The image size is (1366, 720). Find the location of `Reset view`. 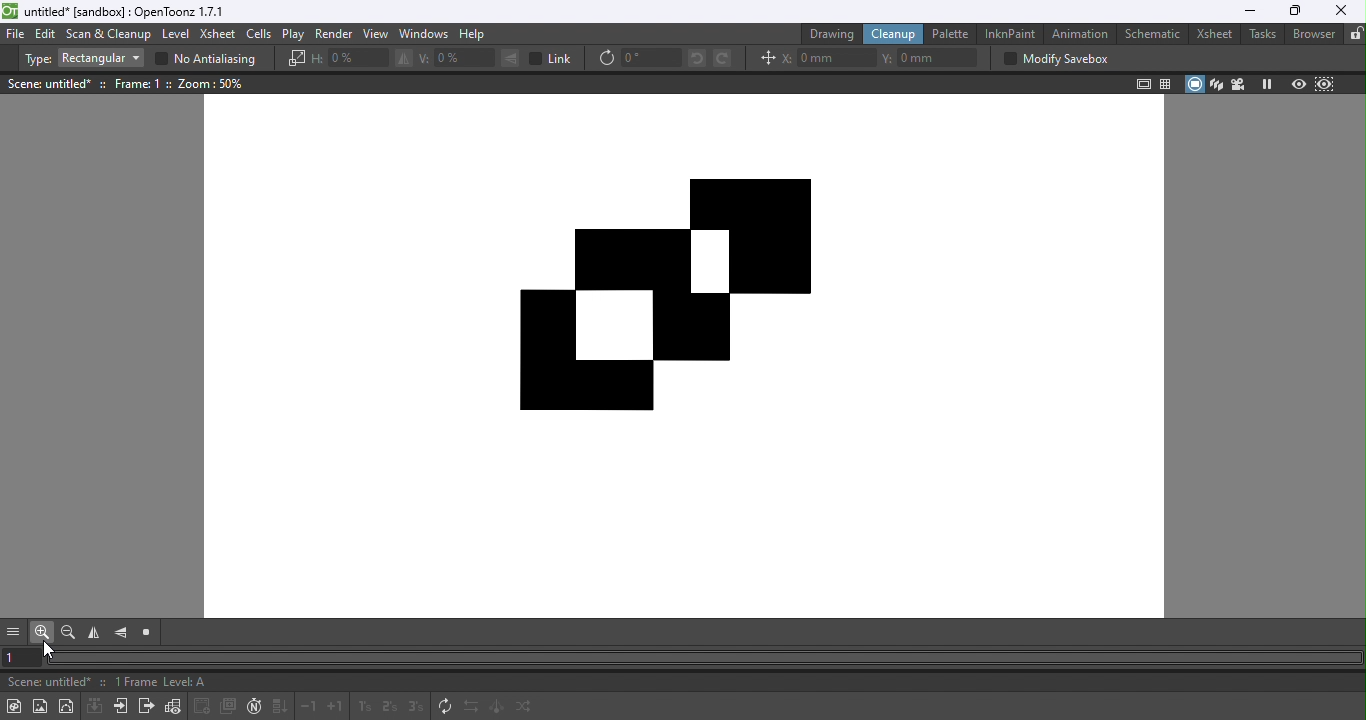

Reset view is located at coordinates (147, 634).